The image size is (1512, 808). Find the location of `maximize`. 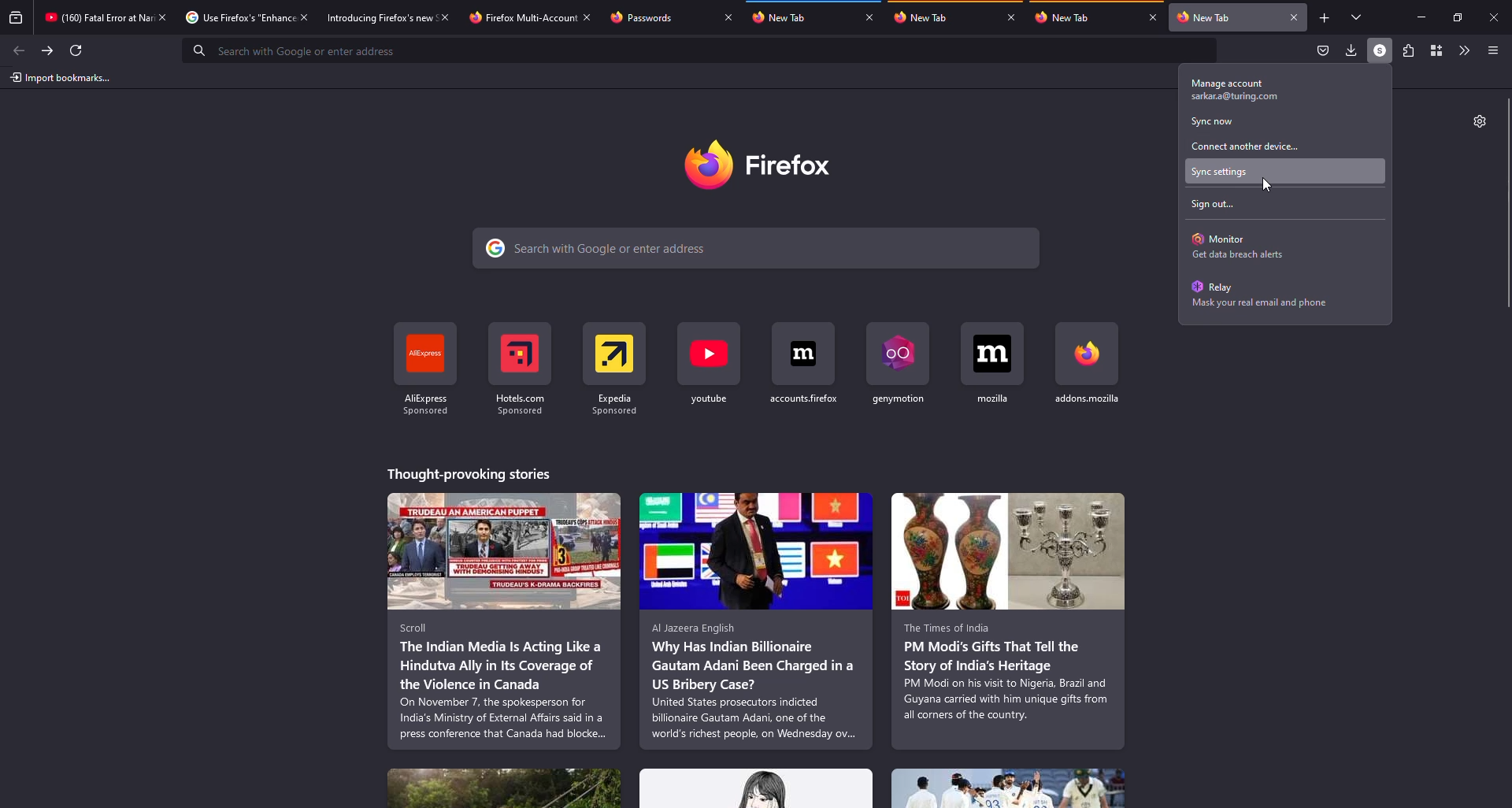

maximize is located at coordinates (1458, 17).